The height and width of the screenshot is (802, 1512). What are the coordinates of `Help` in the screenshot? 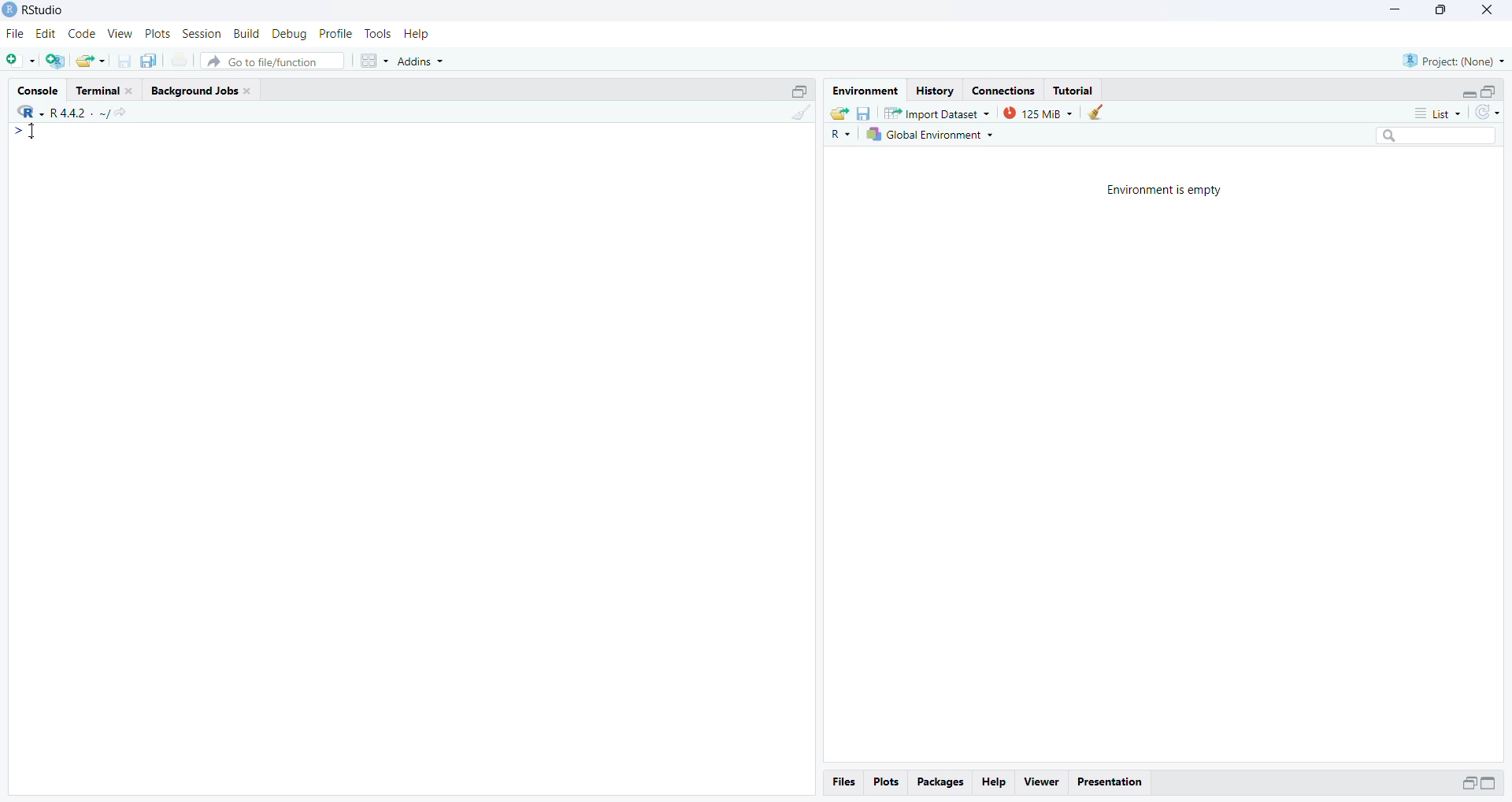 It's located at (416, 33).